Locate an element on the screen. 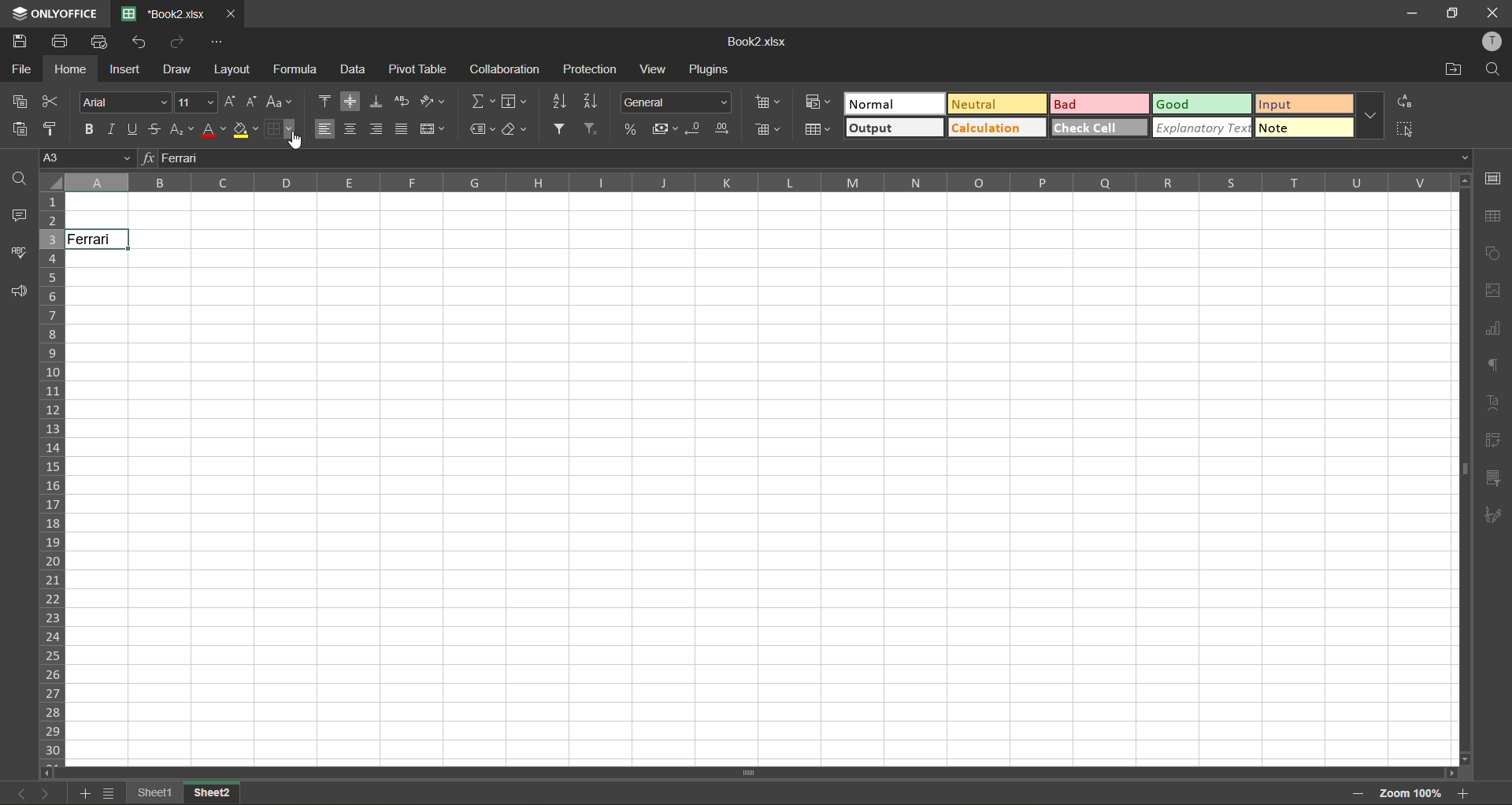 The height and width of the screenshot is (805, 1512). feedback is located at coordinates (18, 291).